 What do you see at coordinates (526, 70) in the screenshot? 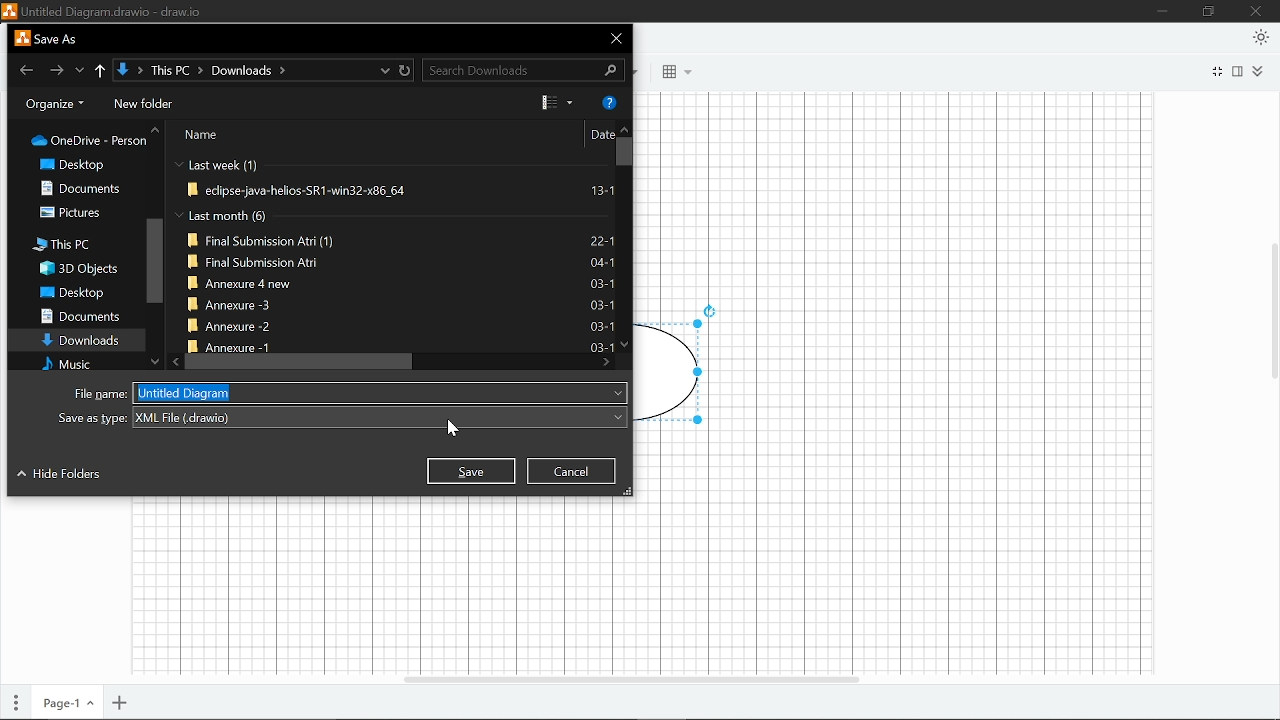
I see `Search downloads` at bounding box center [526, 70].